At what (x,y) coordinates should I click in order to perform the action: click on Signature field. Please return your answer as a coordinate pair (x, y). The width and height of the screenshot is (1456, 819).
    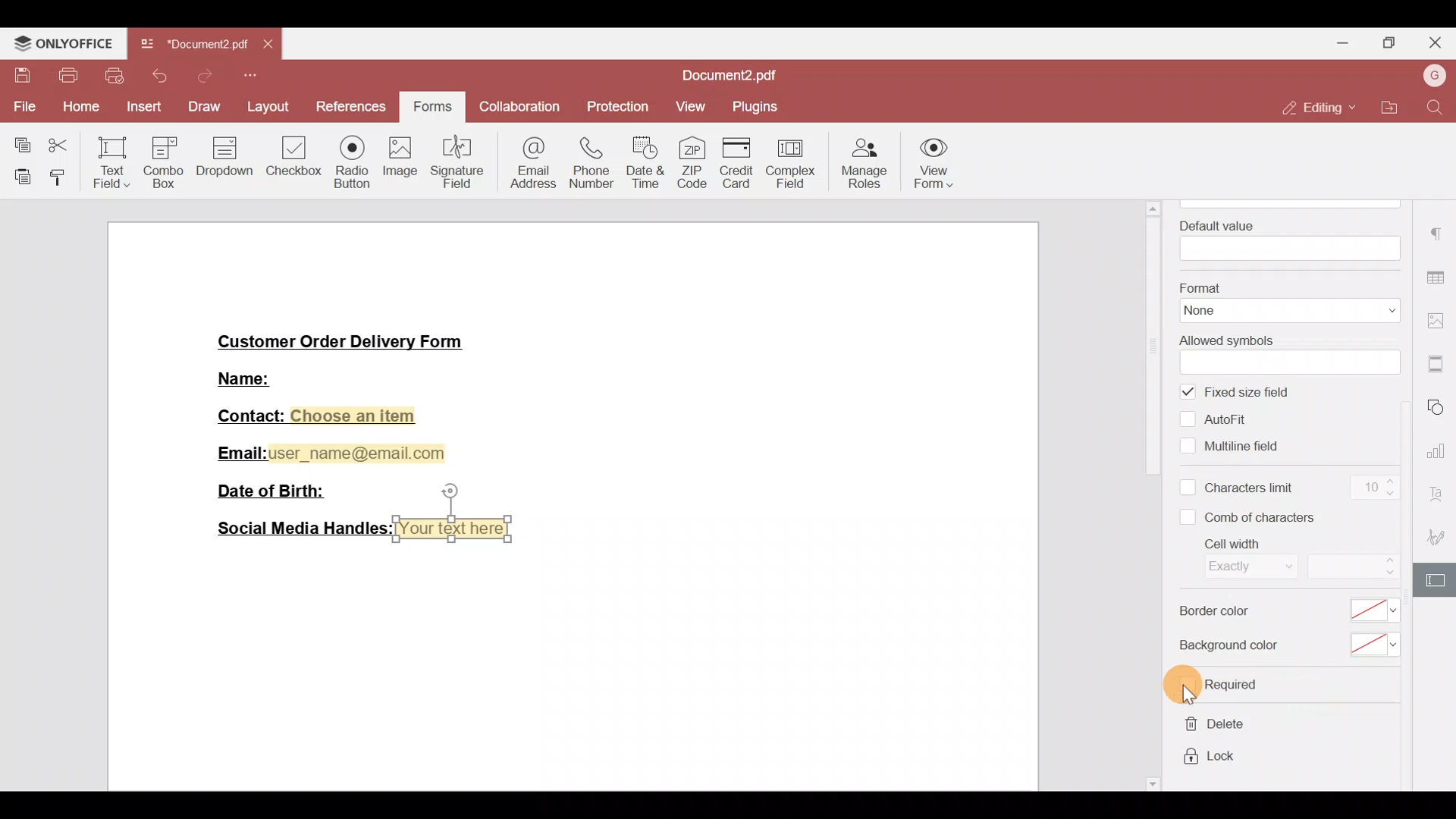
    Looking at the image, I should click on (453, 161).